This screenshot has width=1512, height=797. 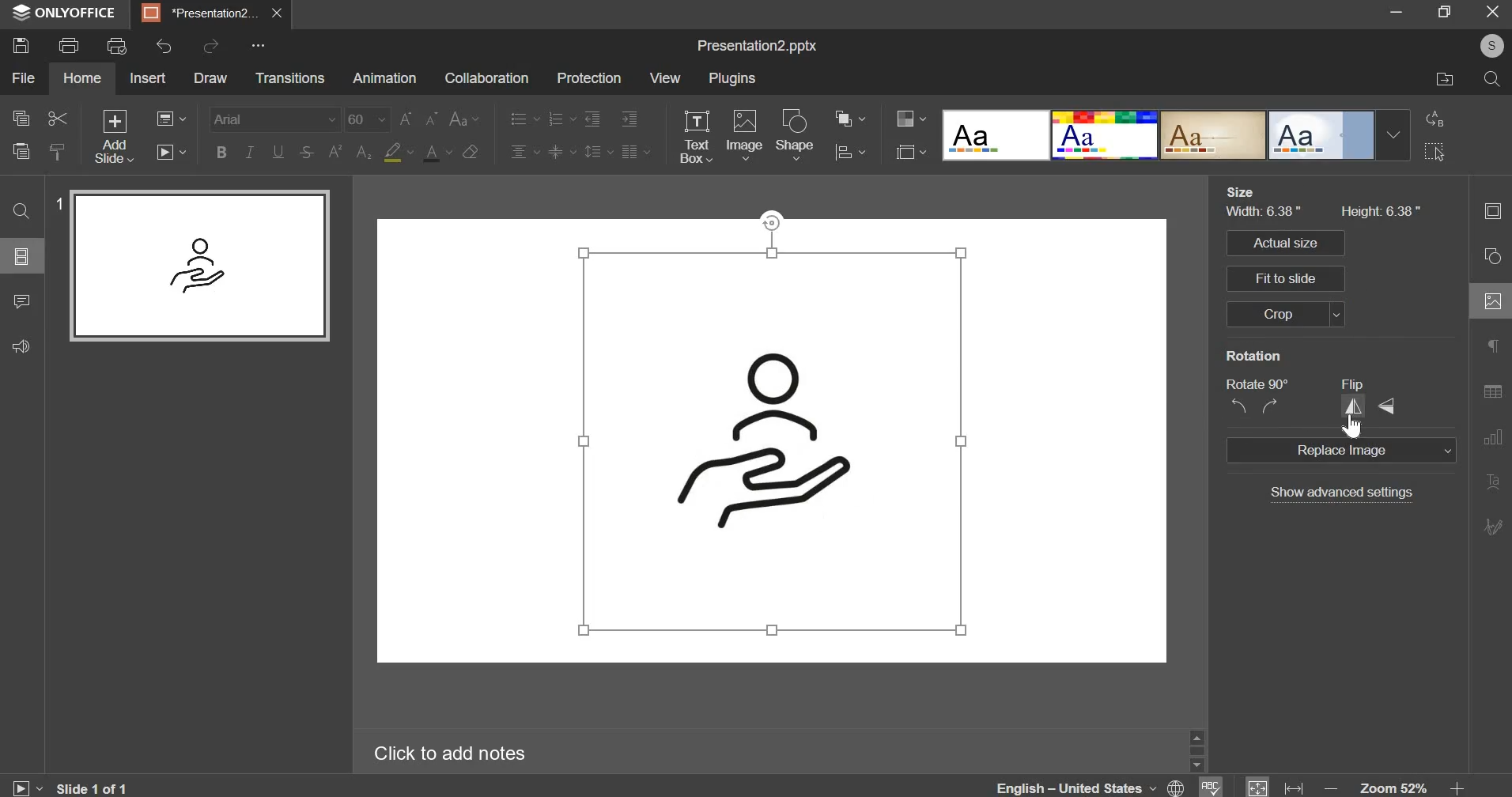 What do you see at coordinates (1491, 46) in the screenshot?
I see `profile` at bounding box center [1491, 46].